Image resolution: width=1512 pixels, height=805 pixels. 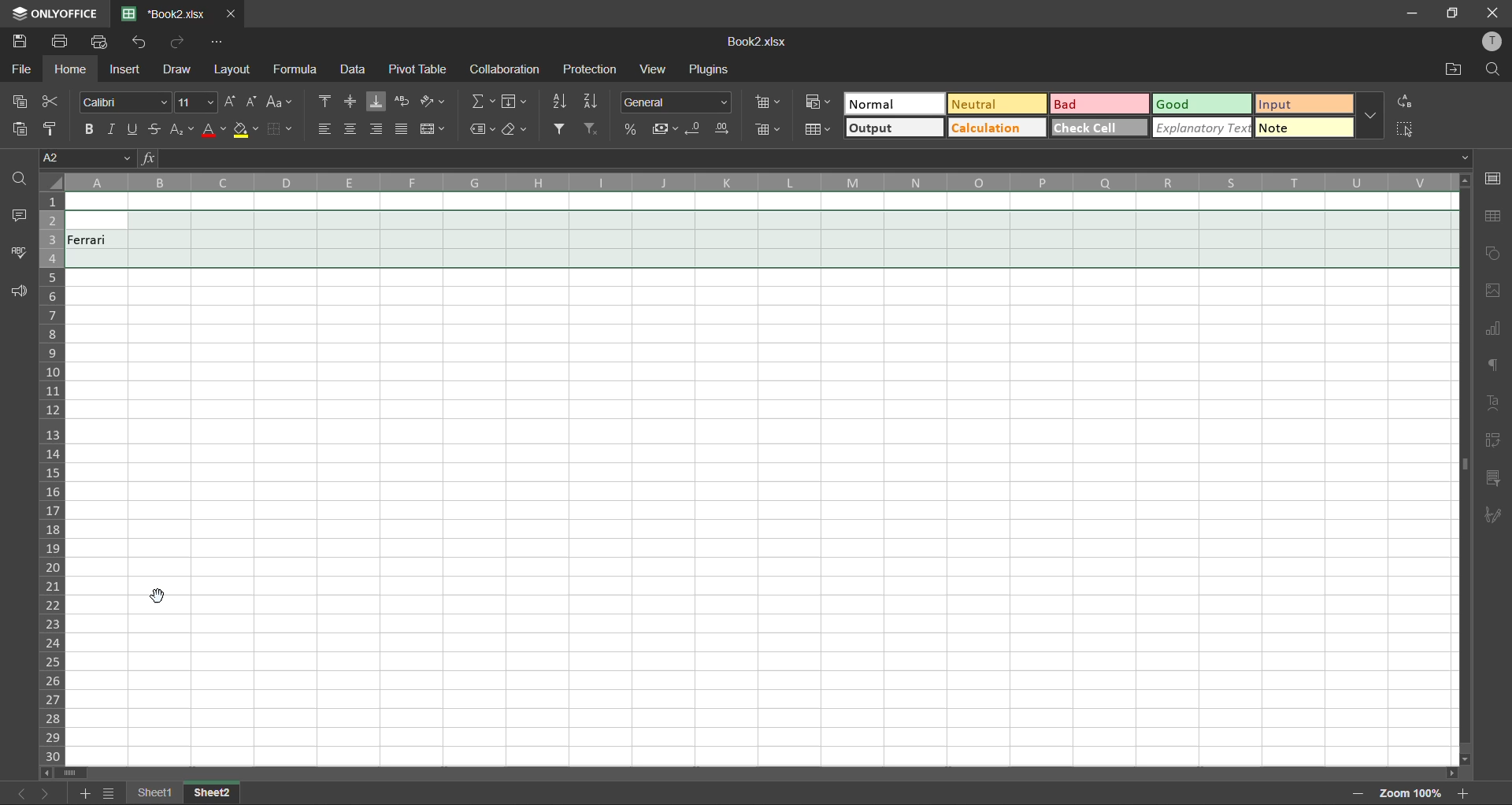 What do you see at coordinates (1299, 103) in the screenshot?
I see `input` at bounding box center [1299, 103].